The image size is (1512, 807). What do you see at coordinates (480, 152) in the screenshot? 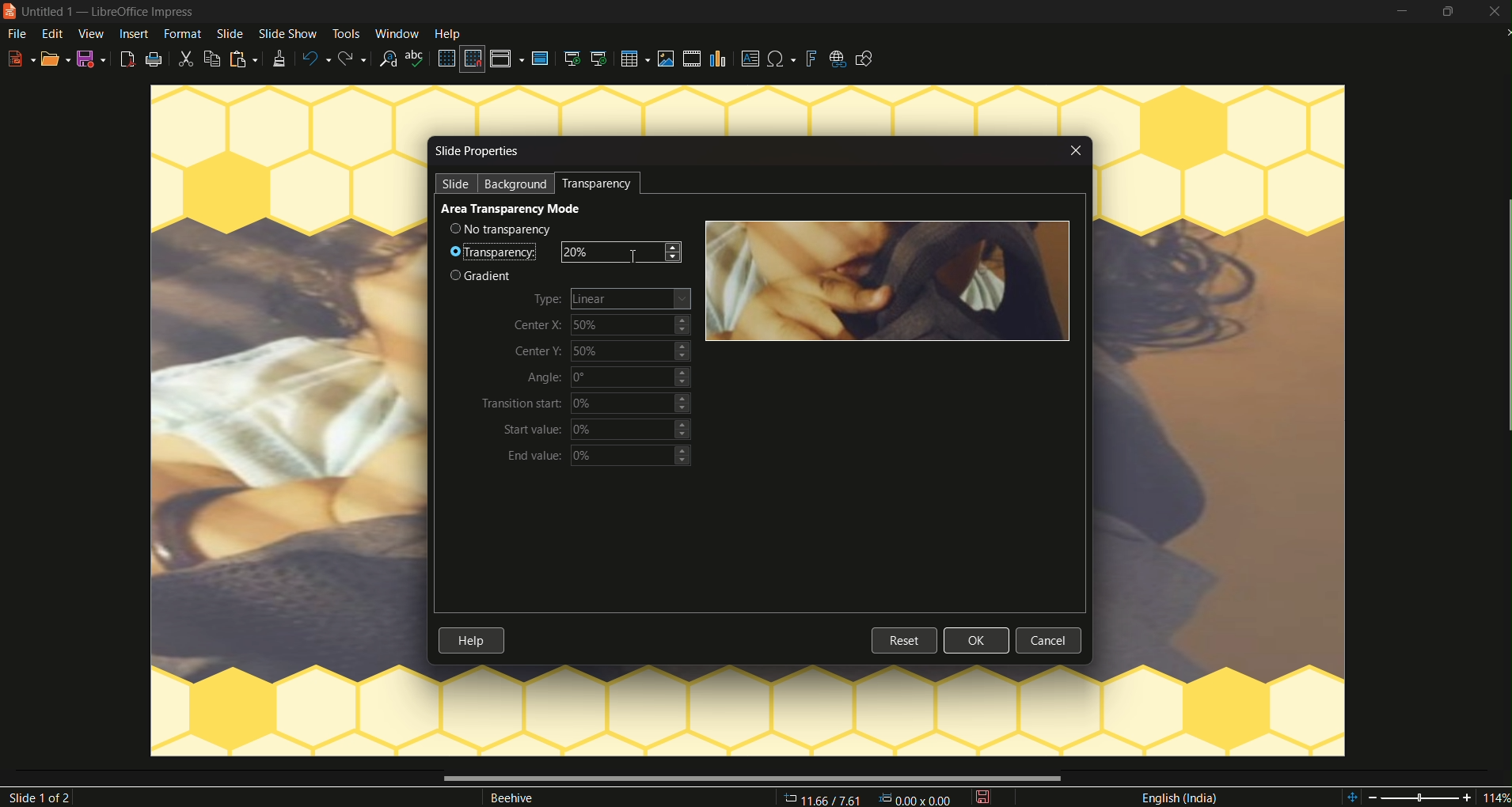
I see `slide properties` at bounding box center [480, 152].